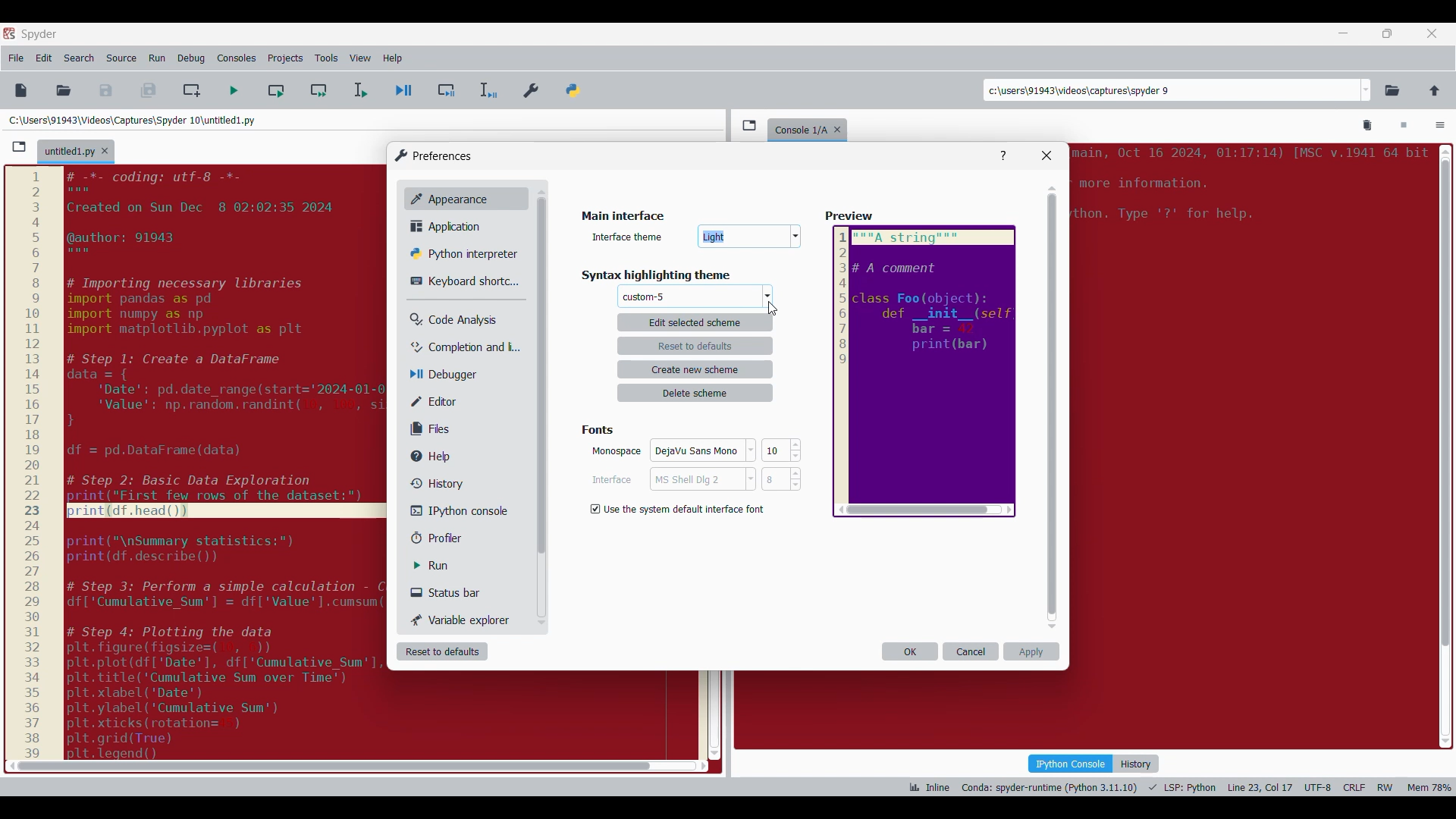 This screenshot has width=1456, height=819. What do you see at coordinates (576, 87) in the screenshot?
I see `PYTHONPATH manager` at bounding box center [576, 87].